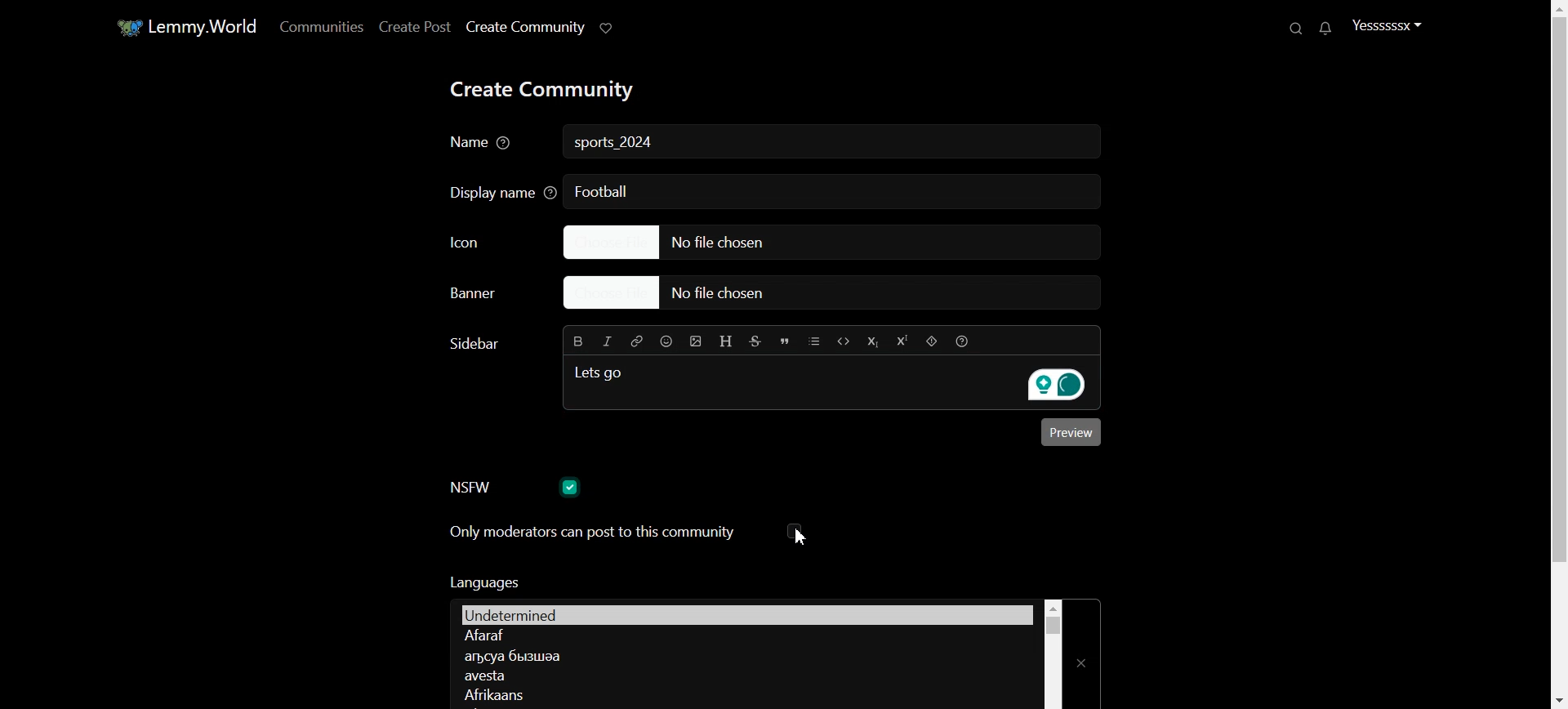 The height and width of the screenshot is (709, 1568). Describe the element at coordinates (840, 294) in the screenshot. I see `Choose file` at that location.